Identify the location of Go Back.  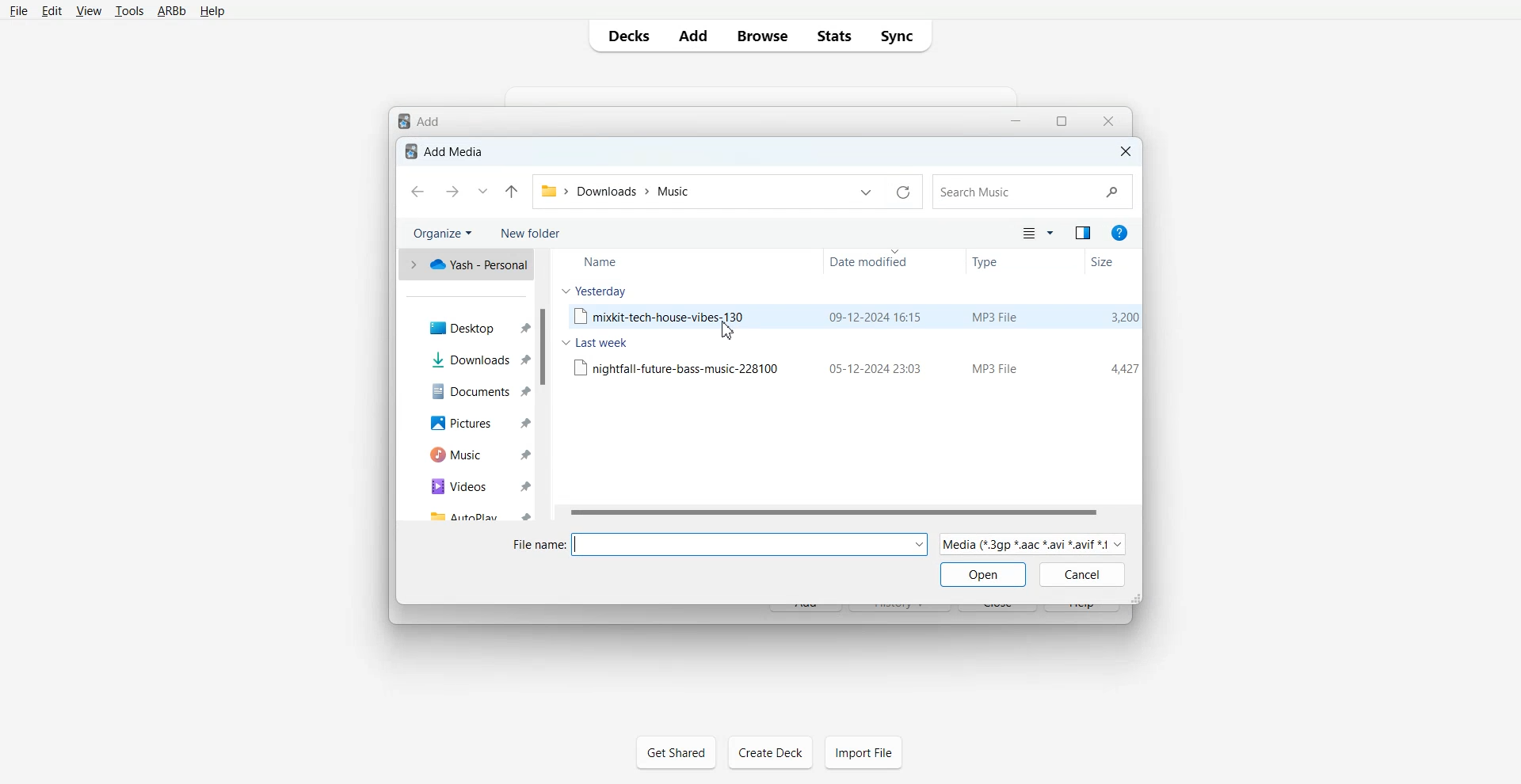
(419, 192).